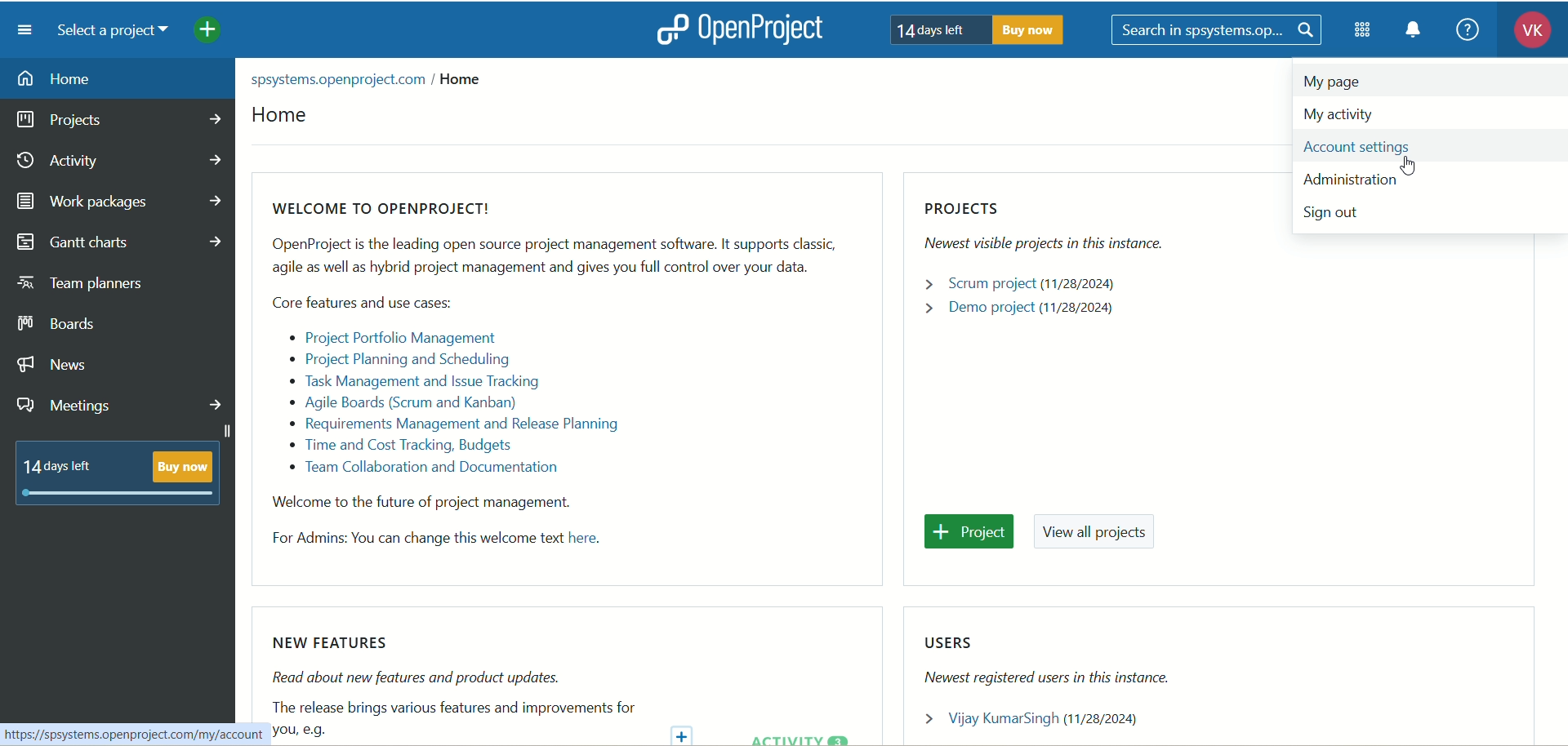  What do you see at coordinates (670, 29) in the screenshot?
I see `logo` at bounding box center [670, 29].